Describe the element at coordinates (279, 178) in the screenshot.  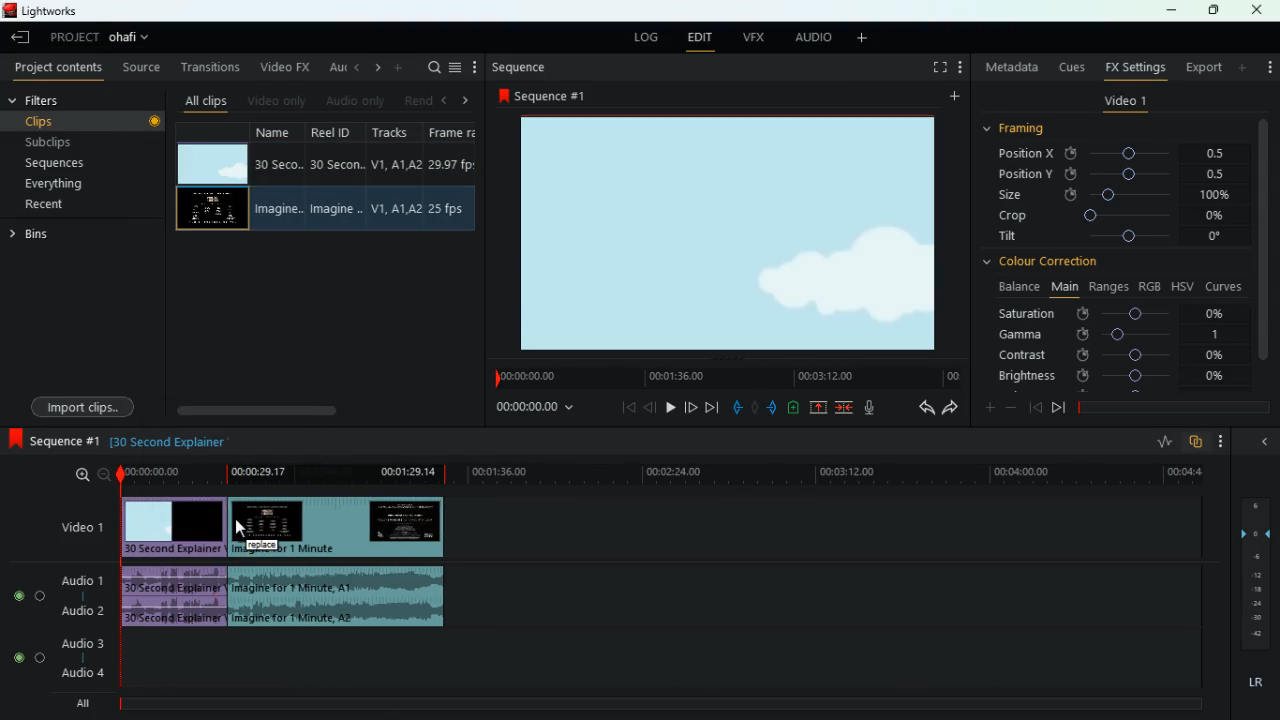
I see `name` at that location.